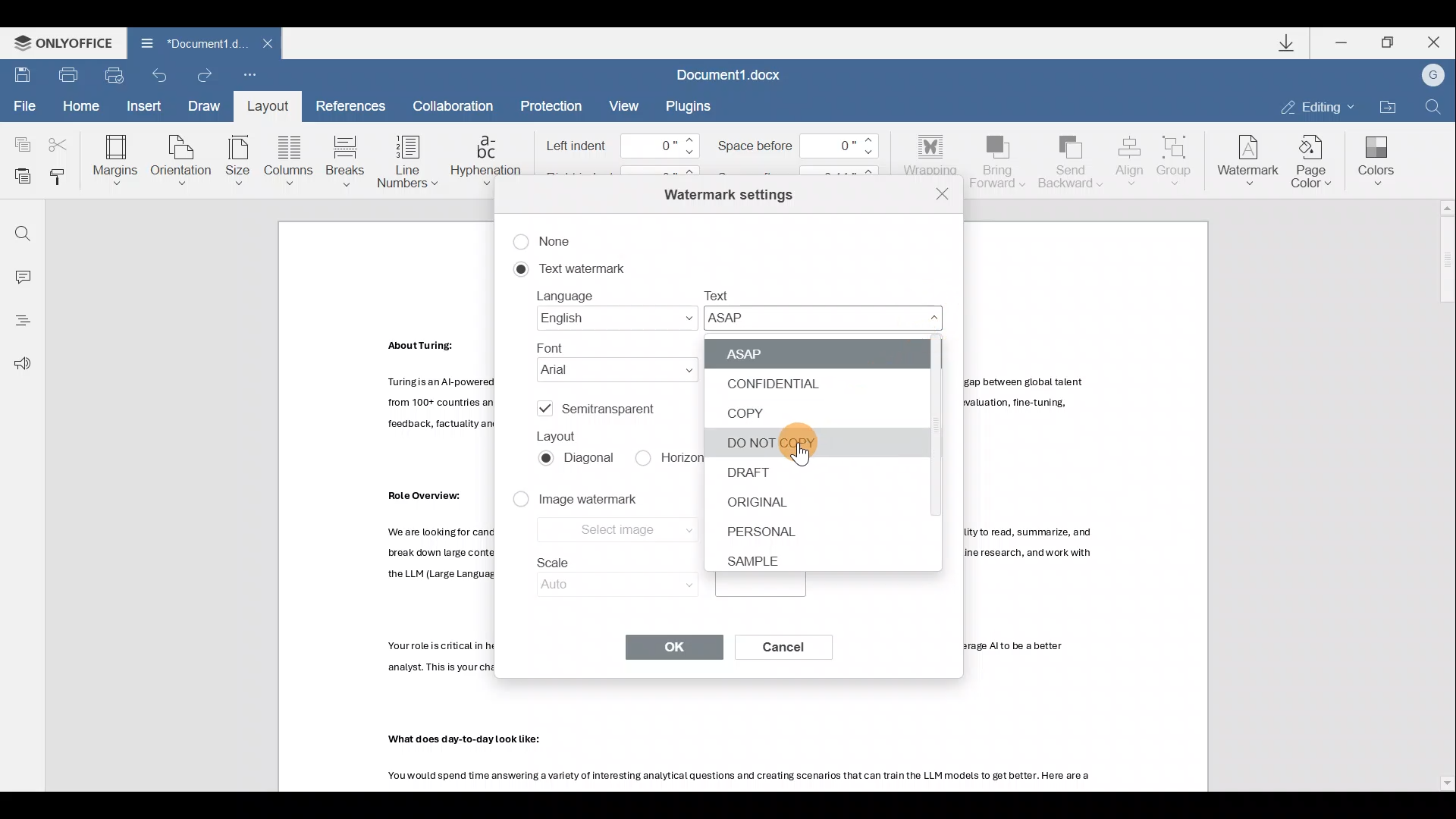  I want to click on Margins, so click(118, 157).